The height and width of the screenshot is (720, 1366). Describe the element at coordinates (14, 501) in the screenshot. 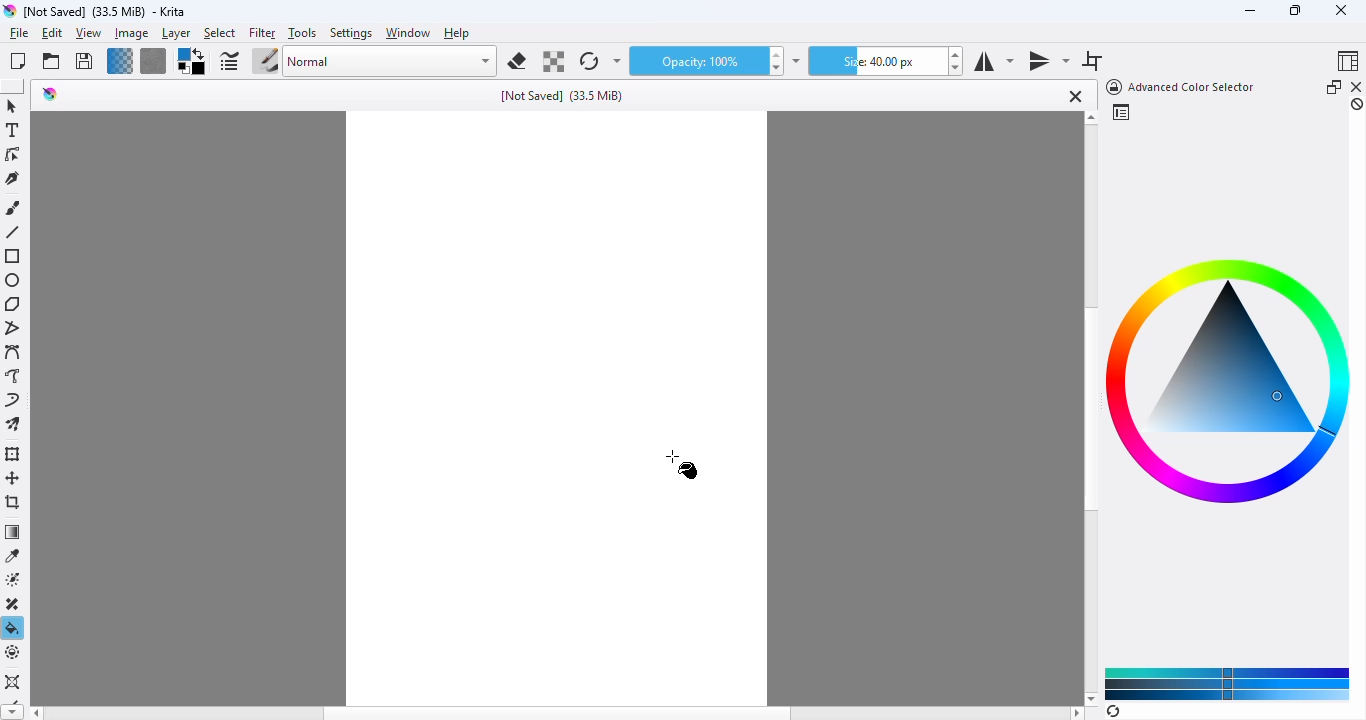

I see `crop the image to an area` at that location.